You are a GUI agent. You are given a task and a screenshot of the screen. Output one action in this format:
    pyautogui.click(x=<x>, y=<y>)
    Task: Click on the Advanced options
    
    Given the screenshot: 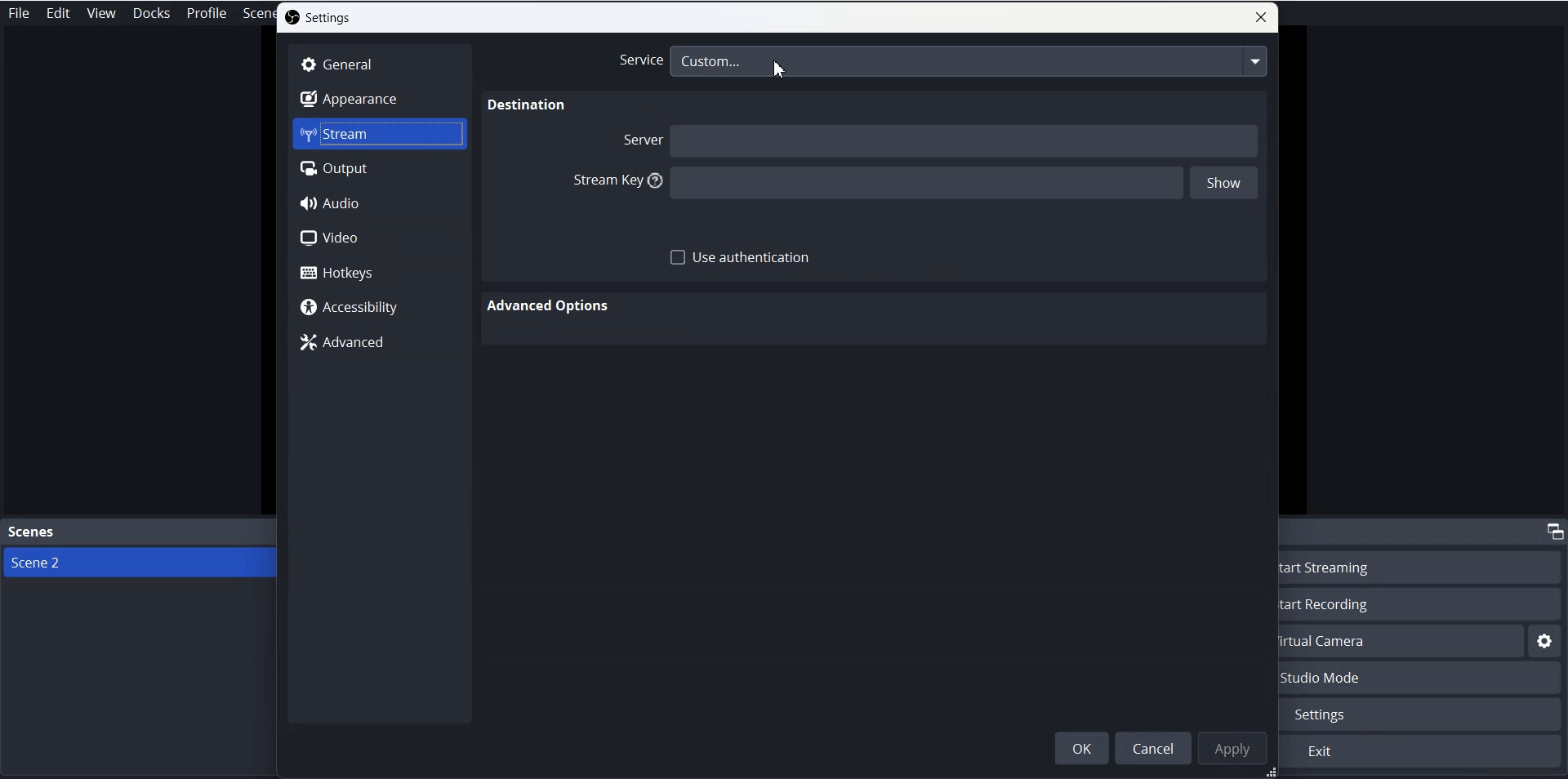 What is the action you would take?
    pyautogui.click(x=551, y=305)
    